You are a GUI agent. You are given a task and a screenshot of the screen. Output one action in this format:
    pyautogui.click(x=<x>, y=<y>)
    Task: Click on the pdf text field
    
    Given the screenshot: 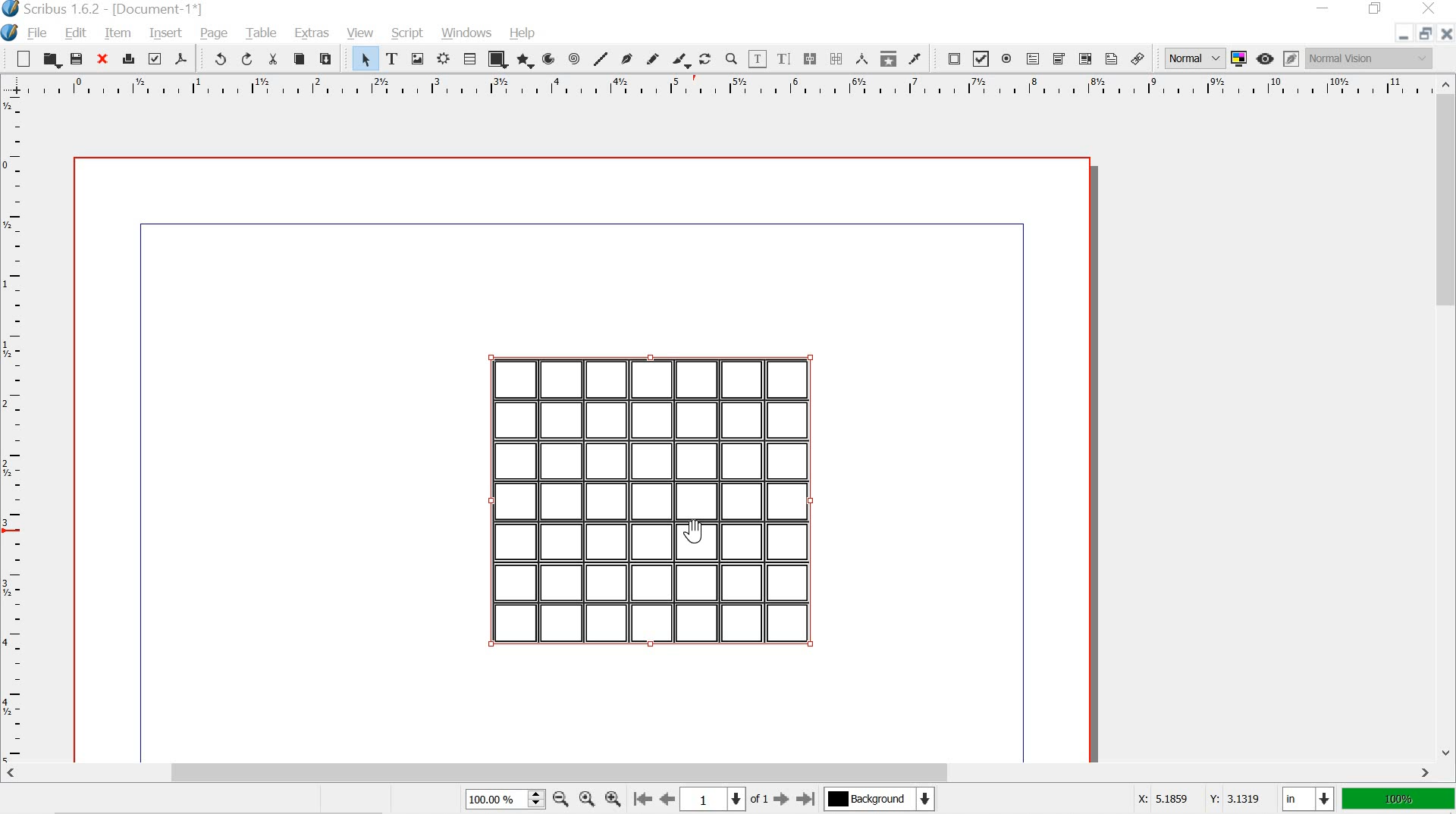 What is the action you would take?
    pyautogui.click(x=1032, y=58)
    